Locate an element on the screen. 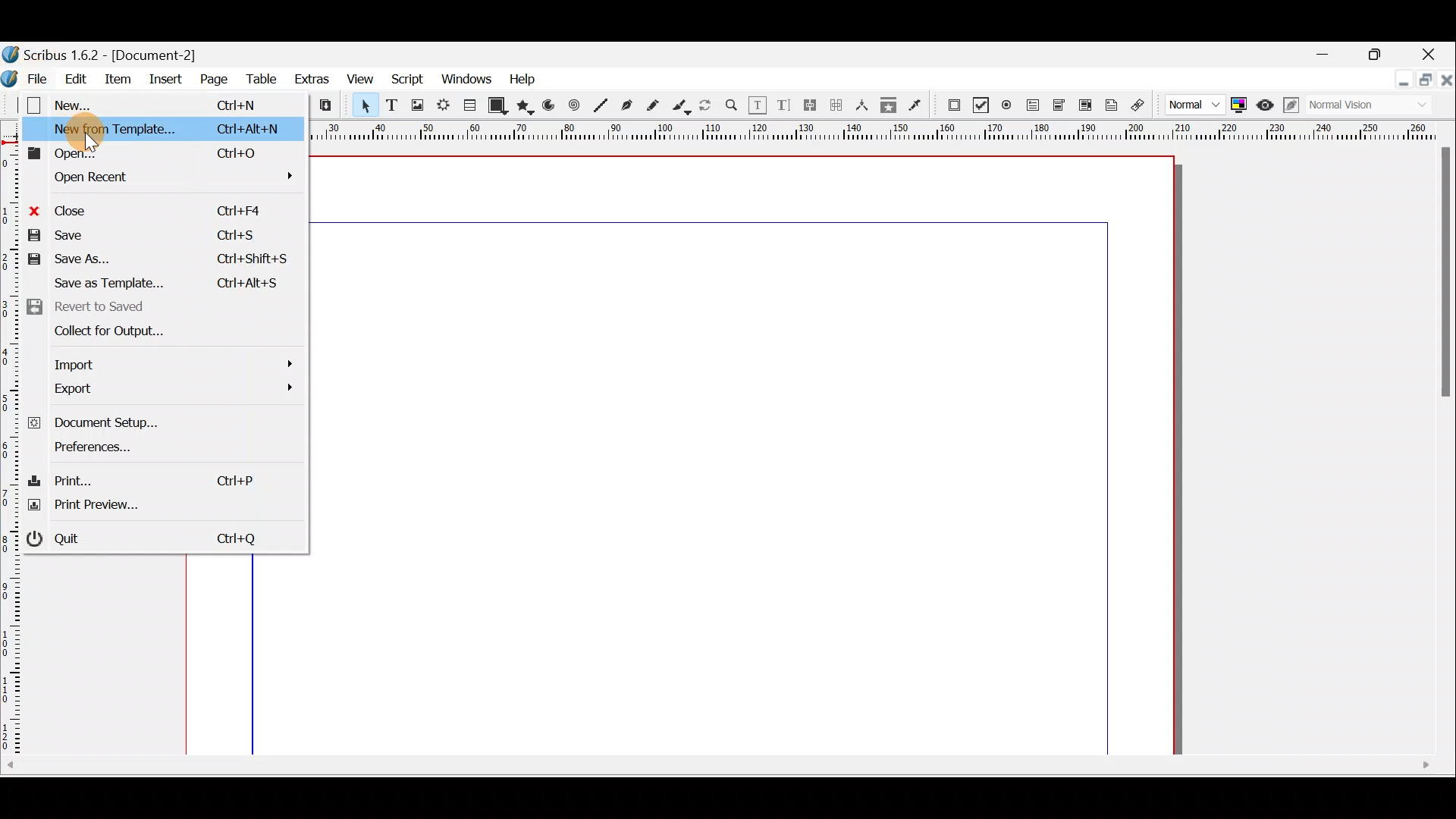  Page is located at coordinates (213, 78).